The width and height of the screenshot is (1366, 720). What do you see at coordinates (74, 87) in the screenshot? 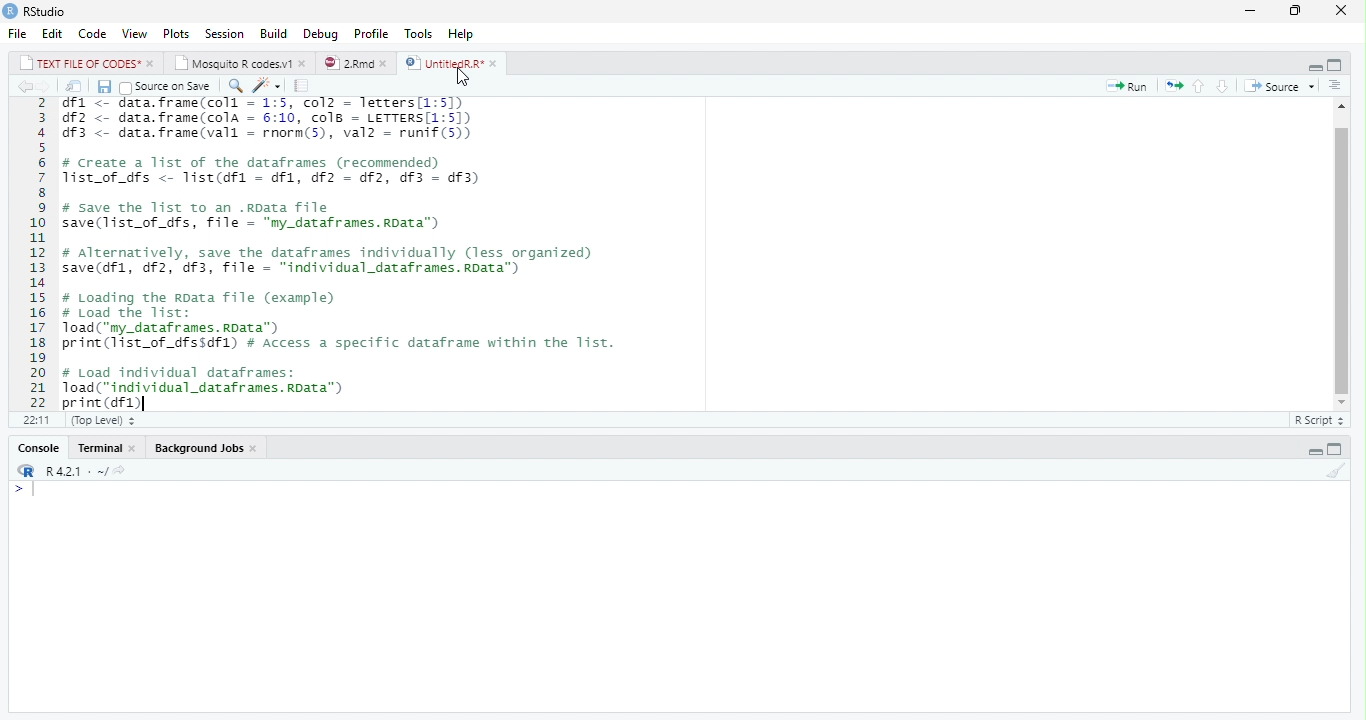
I see `Open in new window` at bounding box center [74, 87].